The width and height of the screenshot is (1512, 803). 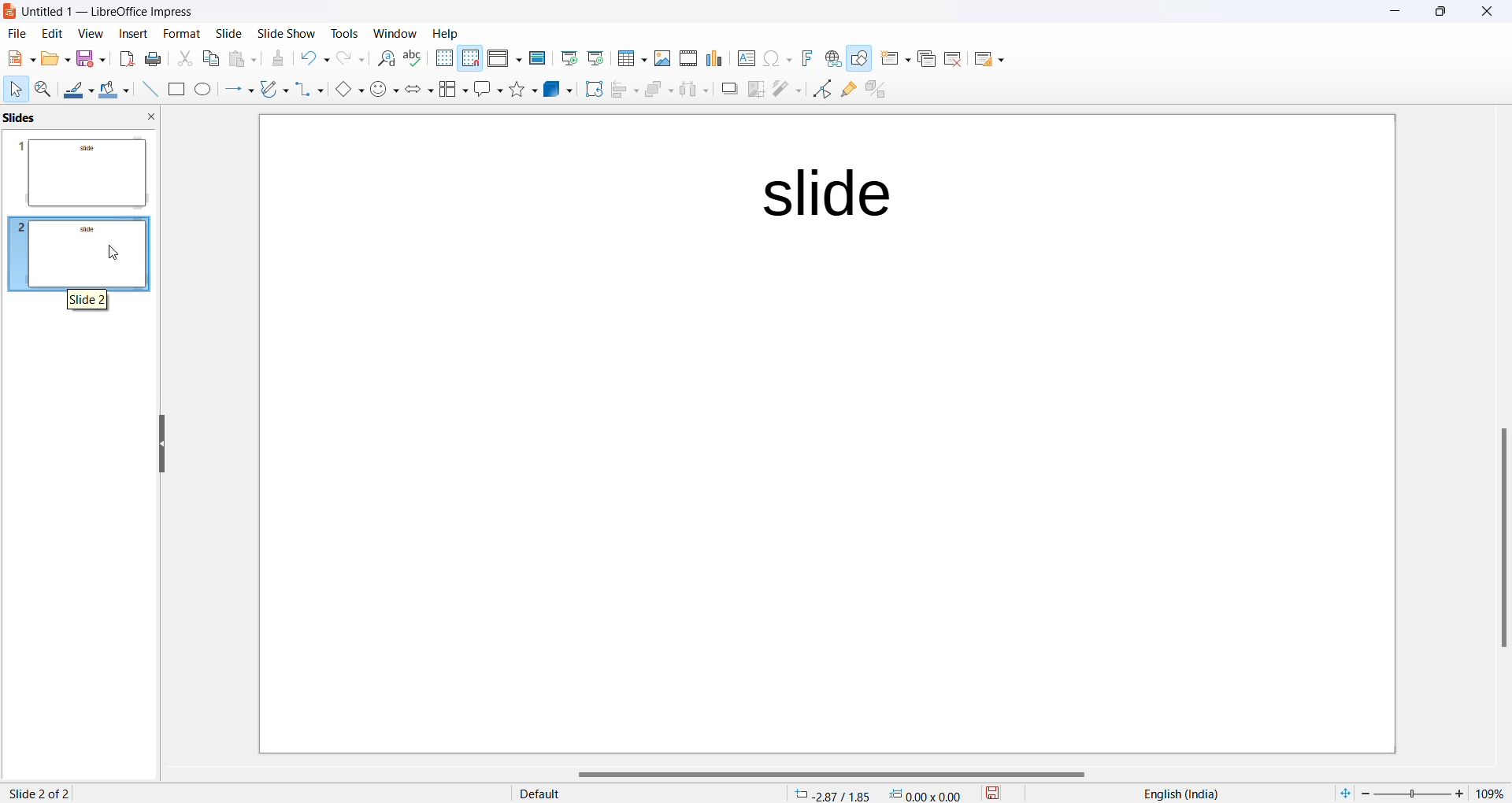 What do you see at coordinates (384, 59) in the screenshot?
I see `Find and replace` at bounding box center [384, 59].